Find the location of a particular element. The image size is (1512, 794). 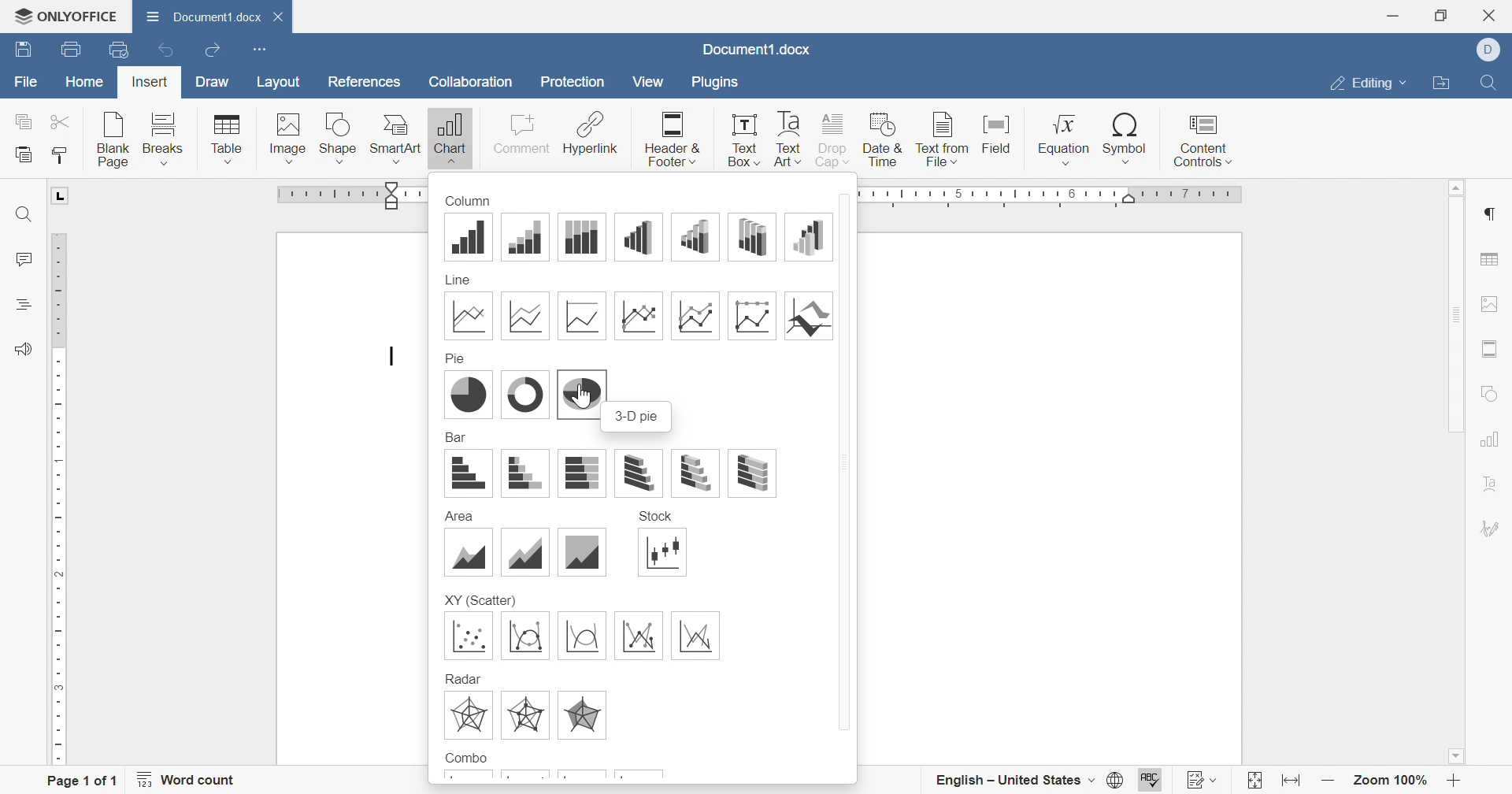

3-Dpie is located at coordinates (639, 417).